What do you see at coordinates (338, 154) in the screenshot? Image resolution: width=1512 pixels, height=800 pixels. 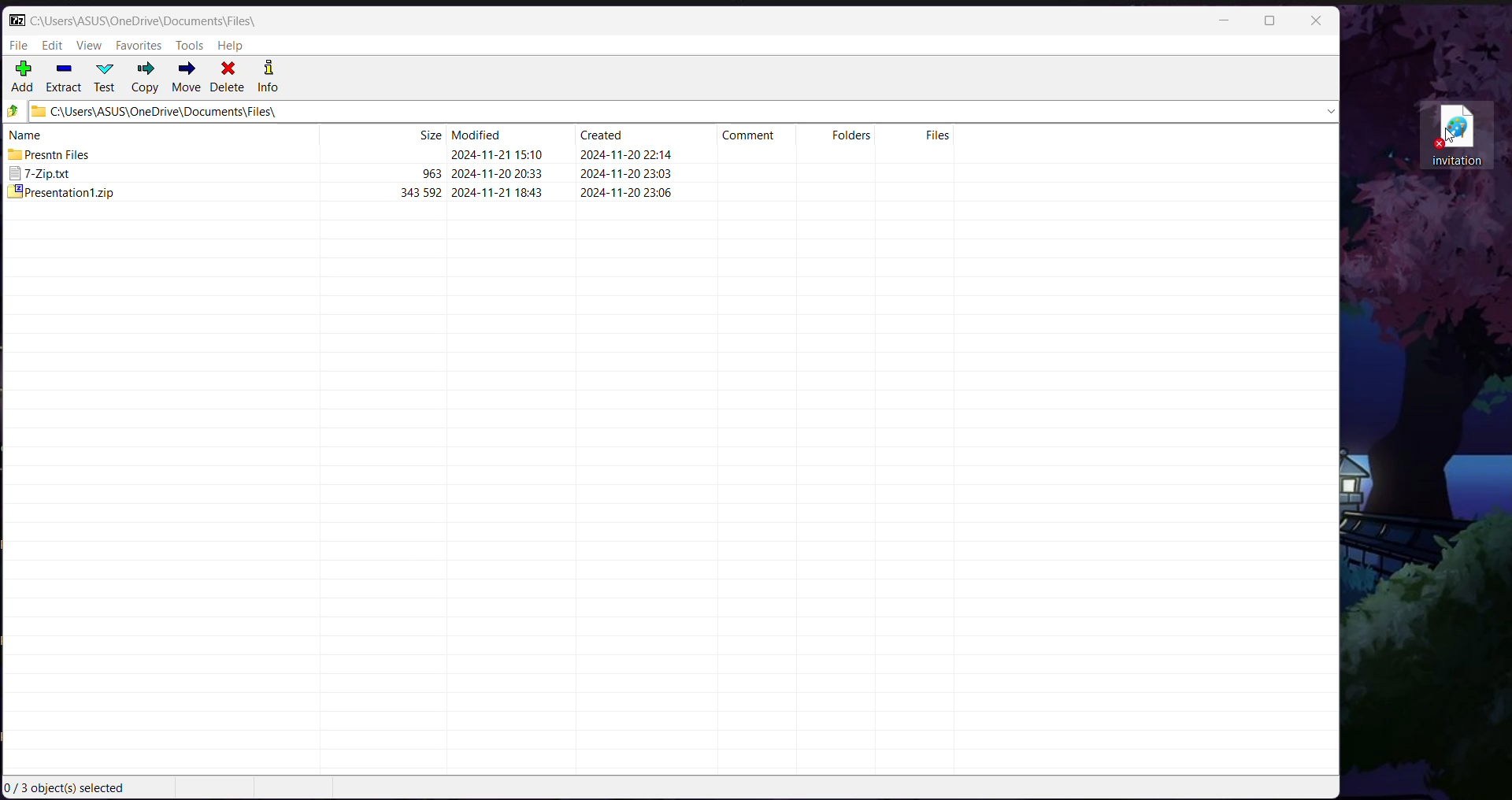 I see `Presntn Files 2024-11-21 15.10 2024-11-20 22:14` at bounding box center [338, 154].